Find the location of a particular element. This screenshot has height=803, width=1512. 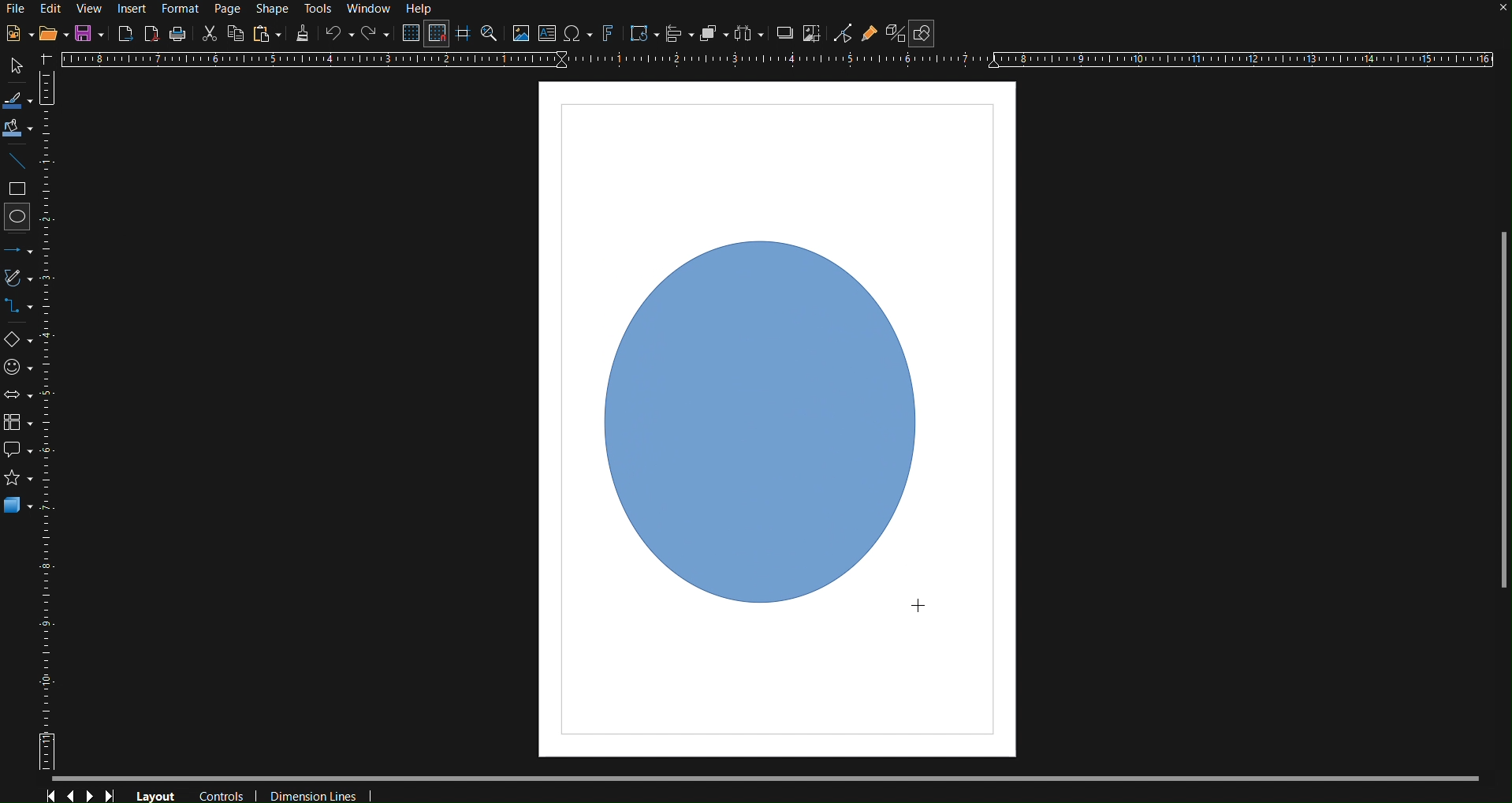

Save is located at coordinates (91, 34).